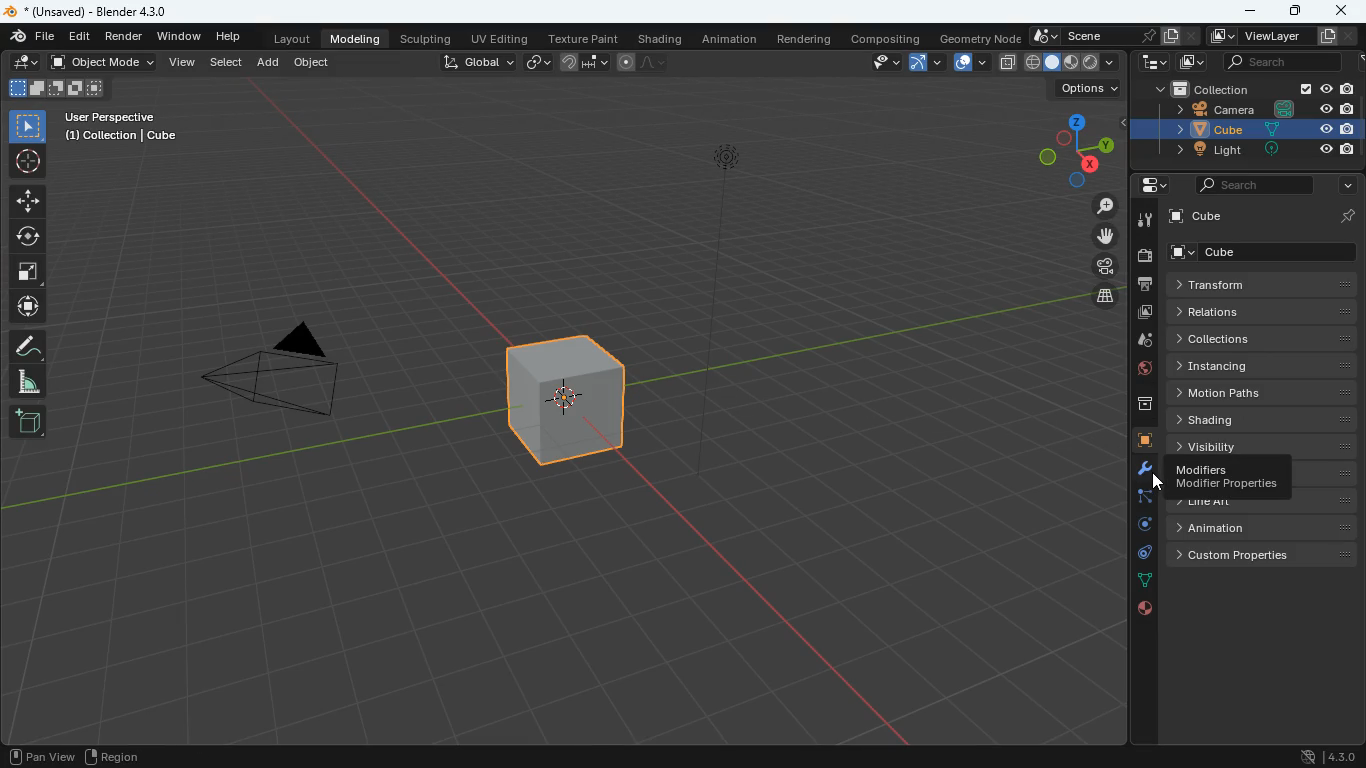 This screenshot has width=1366, height=768. Describe the element at coordinates (1258, 528) in the screenshot. I see `animation` at that location.